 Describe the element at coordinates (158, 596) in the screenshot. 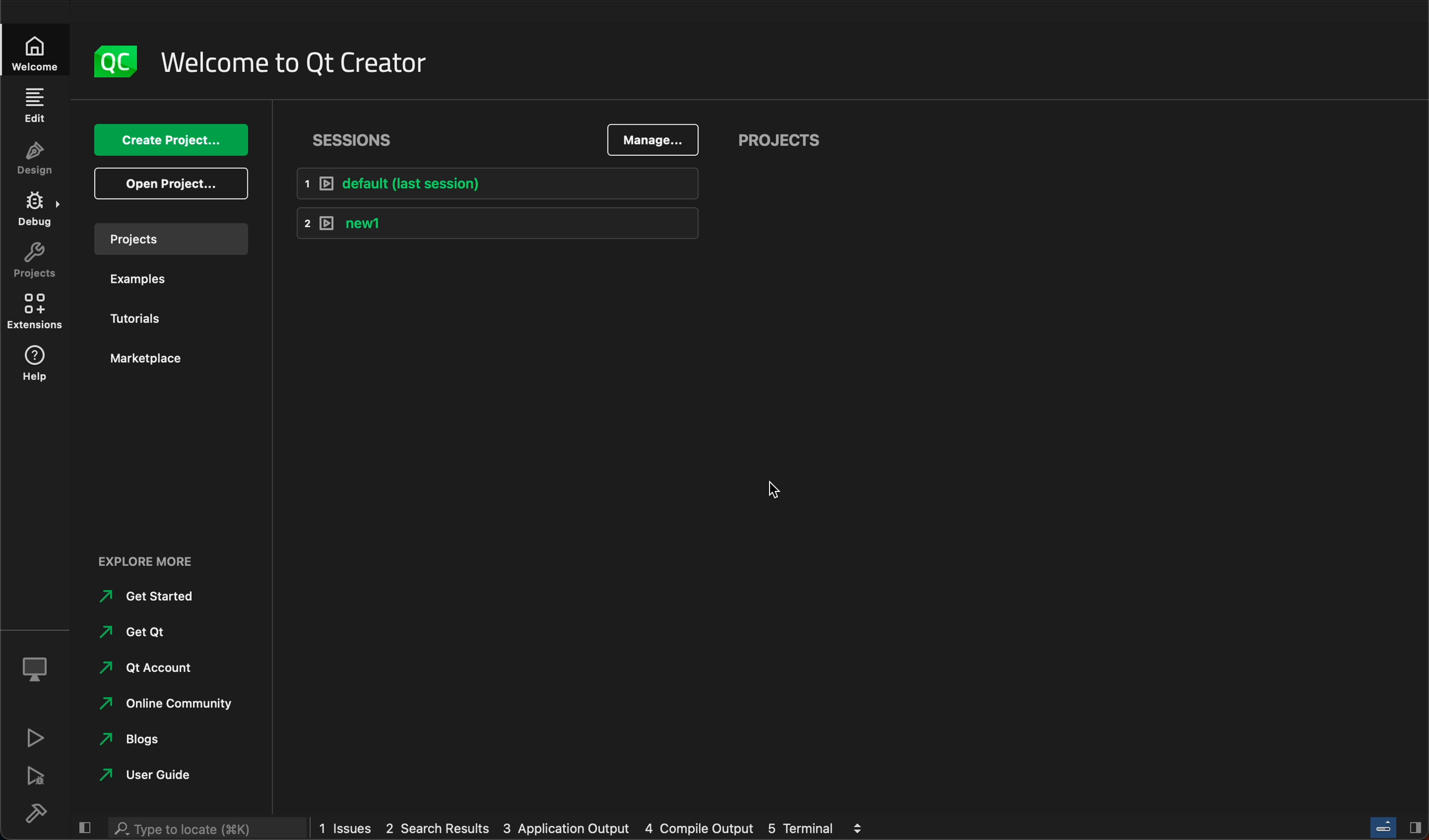

I see `get started` at that location.